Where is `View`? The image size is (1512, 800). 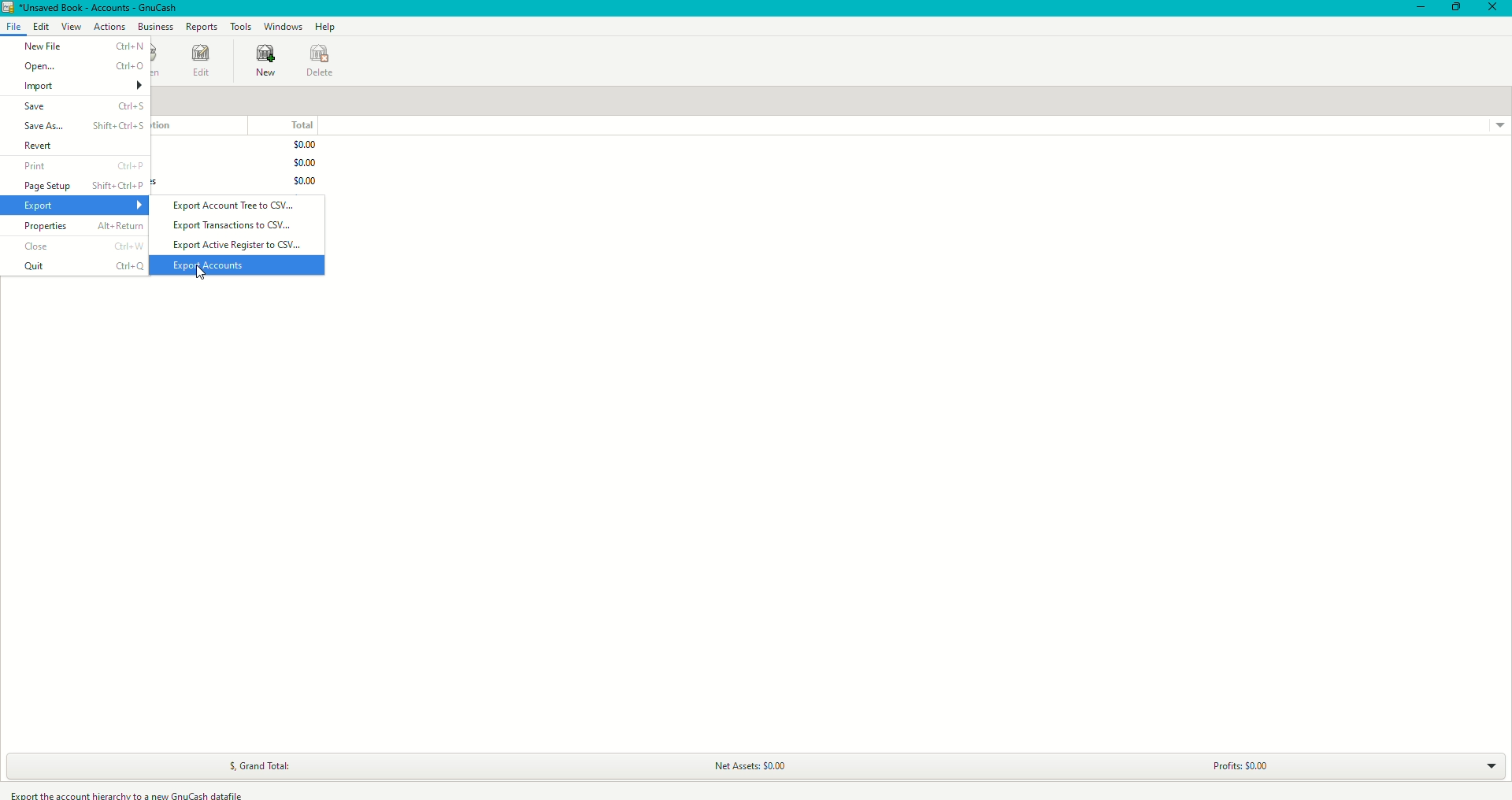 View is located at coordinates (70, 27).